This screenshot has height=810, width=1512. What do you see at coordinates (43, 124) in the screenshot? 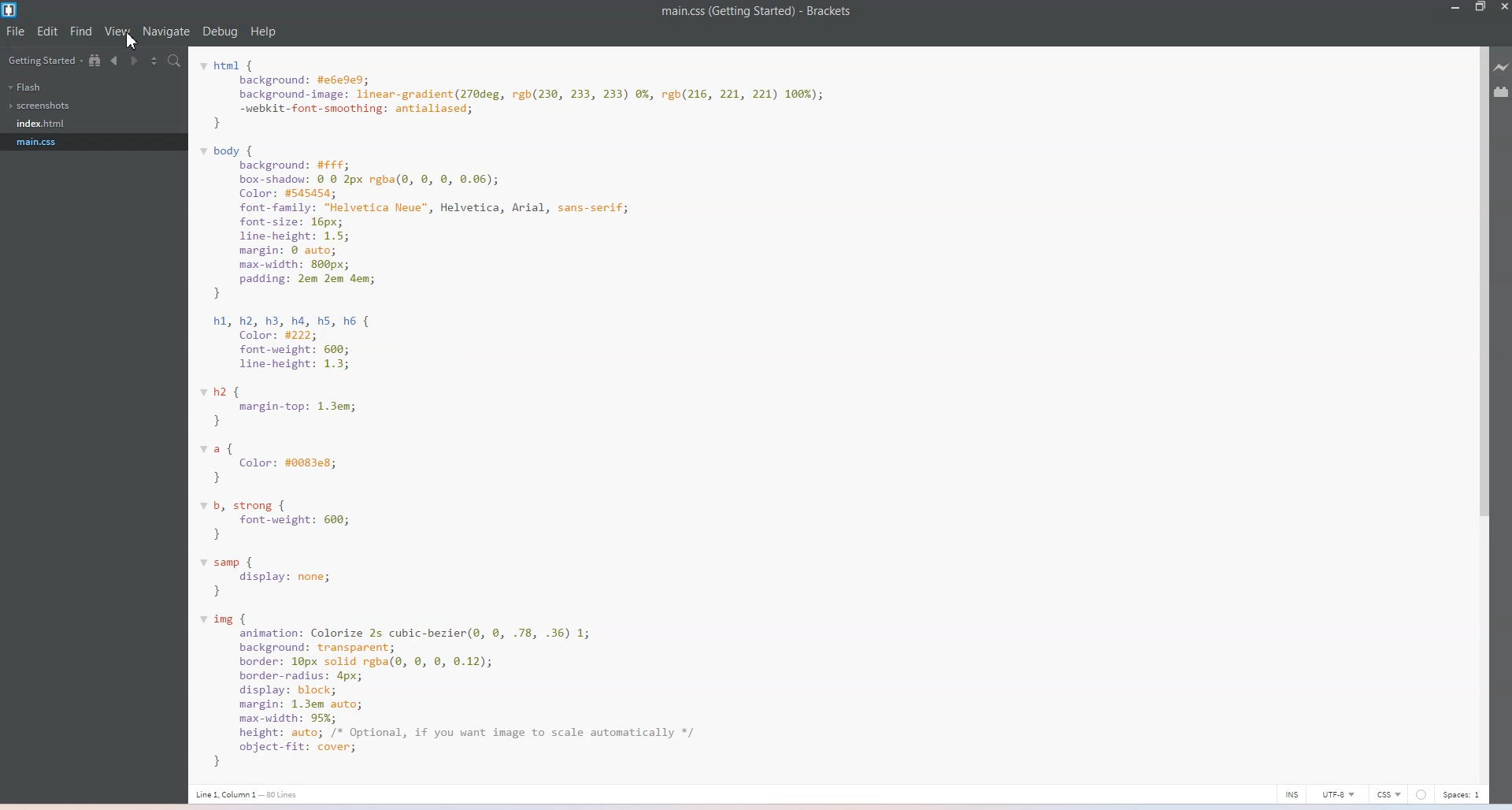
I see `index.html` at bounding box center [43, 124].